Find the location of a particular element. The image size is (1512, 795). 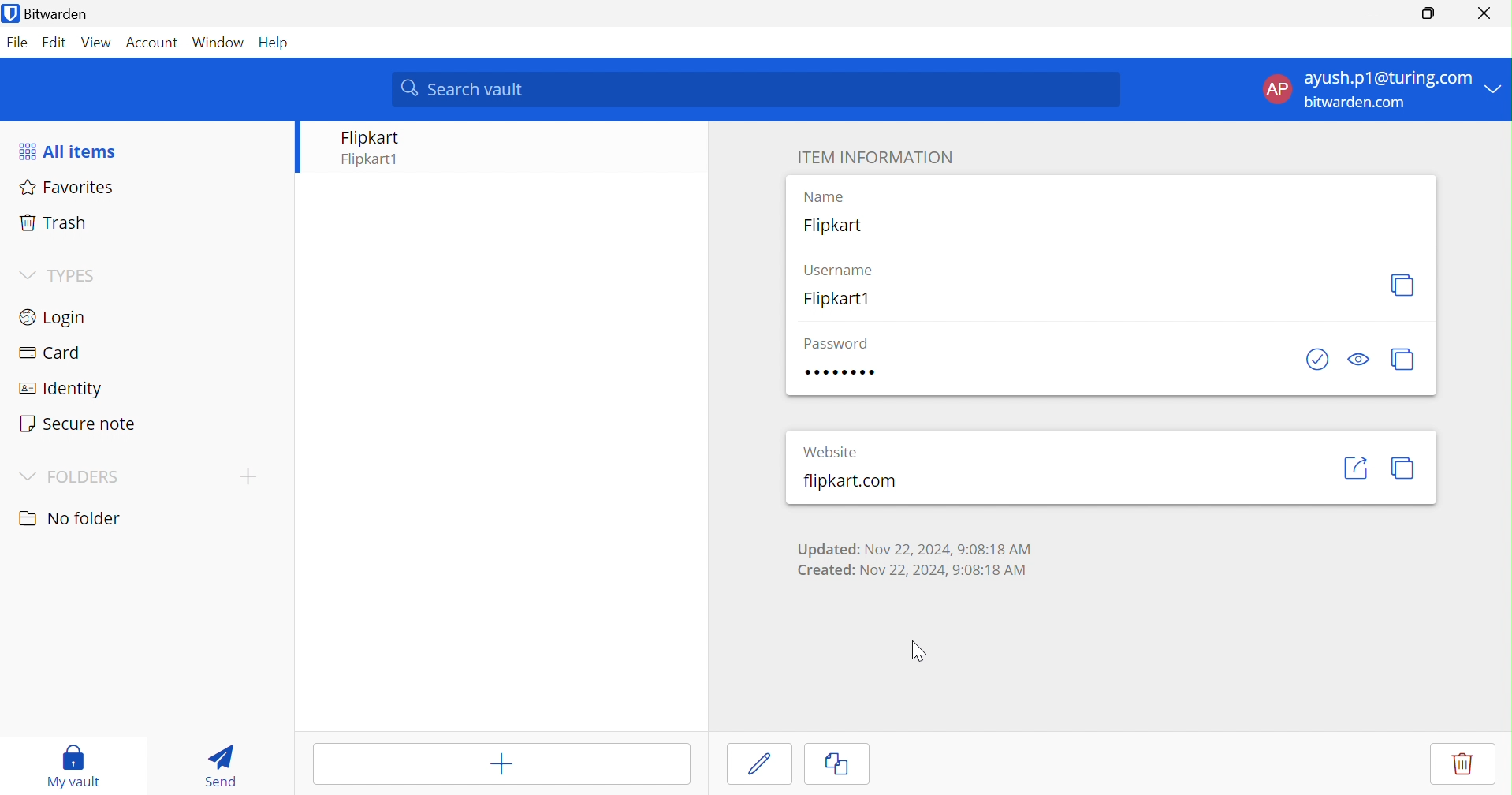

Check if password has been exposed is located at coordinates (1317, 358).